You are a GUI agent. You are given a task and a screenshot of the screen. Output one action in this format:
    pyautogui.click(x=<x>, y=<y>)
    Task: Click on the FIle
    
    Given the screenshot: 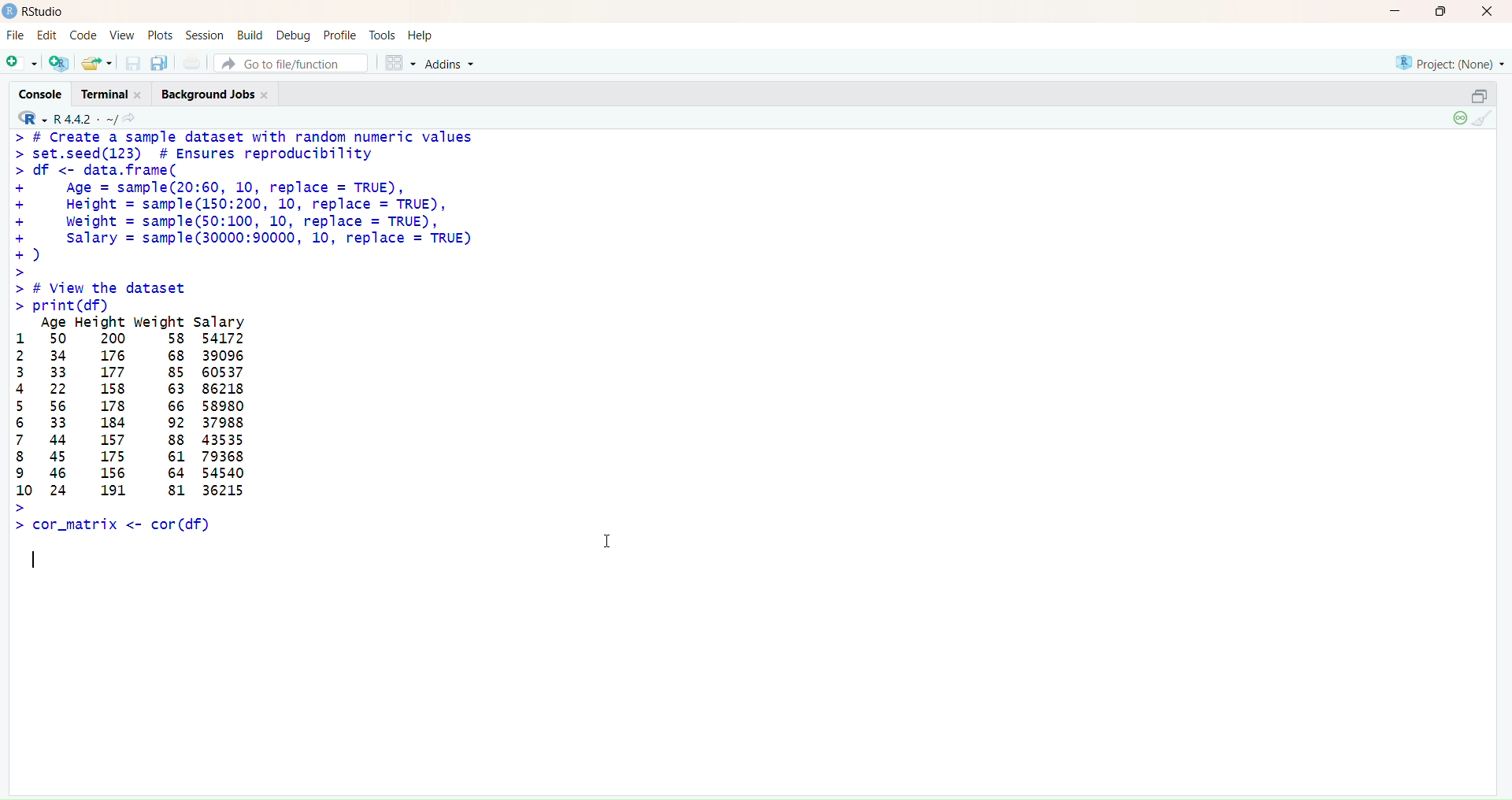 What is the action you would take?
    pyautogui.click(x=16, y=35)
    